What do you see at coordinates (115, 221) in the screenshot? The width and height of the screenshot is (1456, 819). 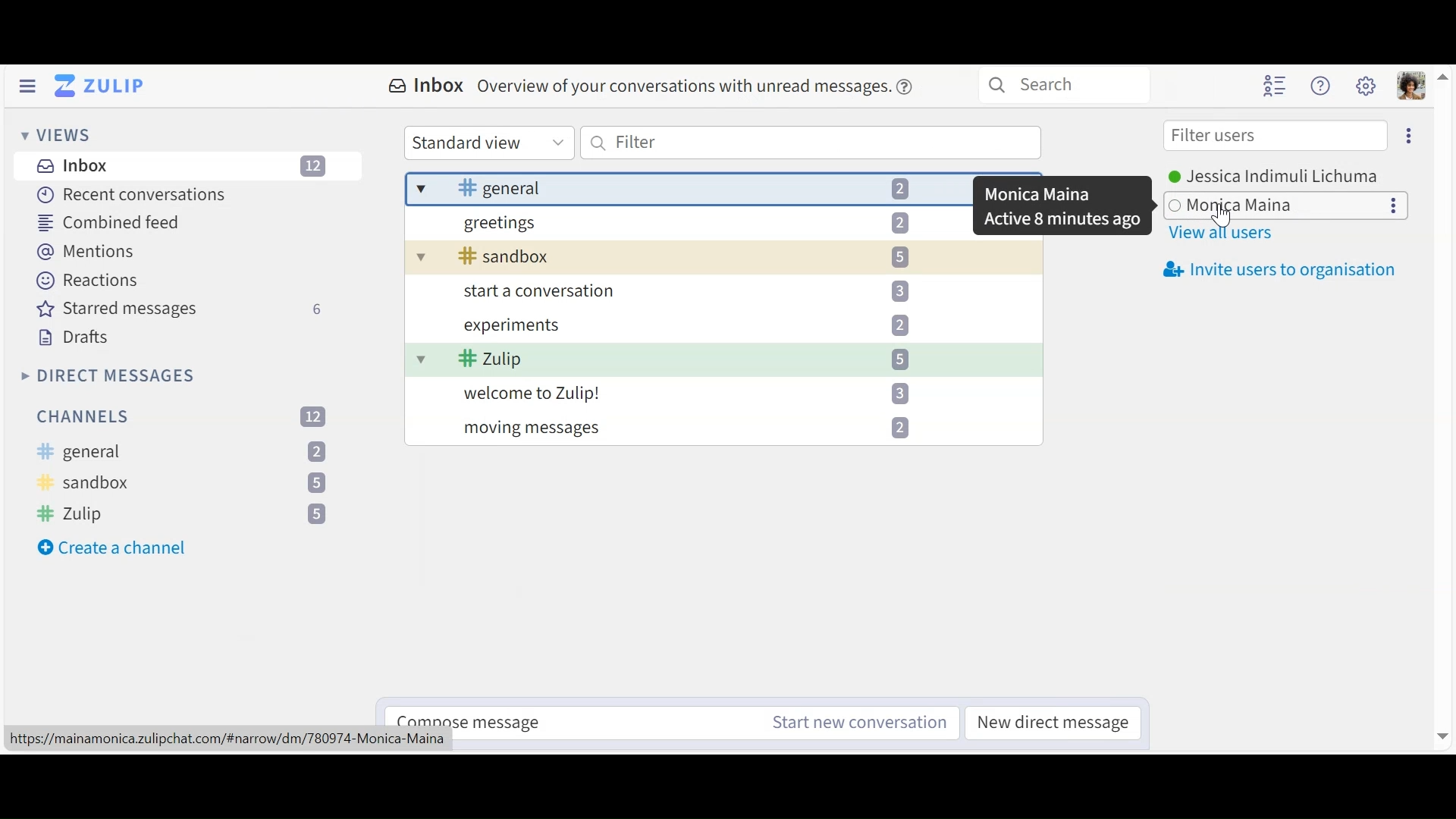 I see `Combined feed` at bounding box center [115, 221].